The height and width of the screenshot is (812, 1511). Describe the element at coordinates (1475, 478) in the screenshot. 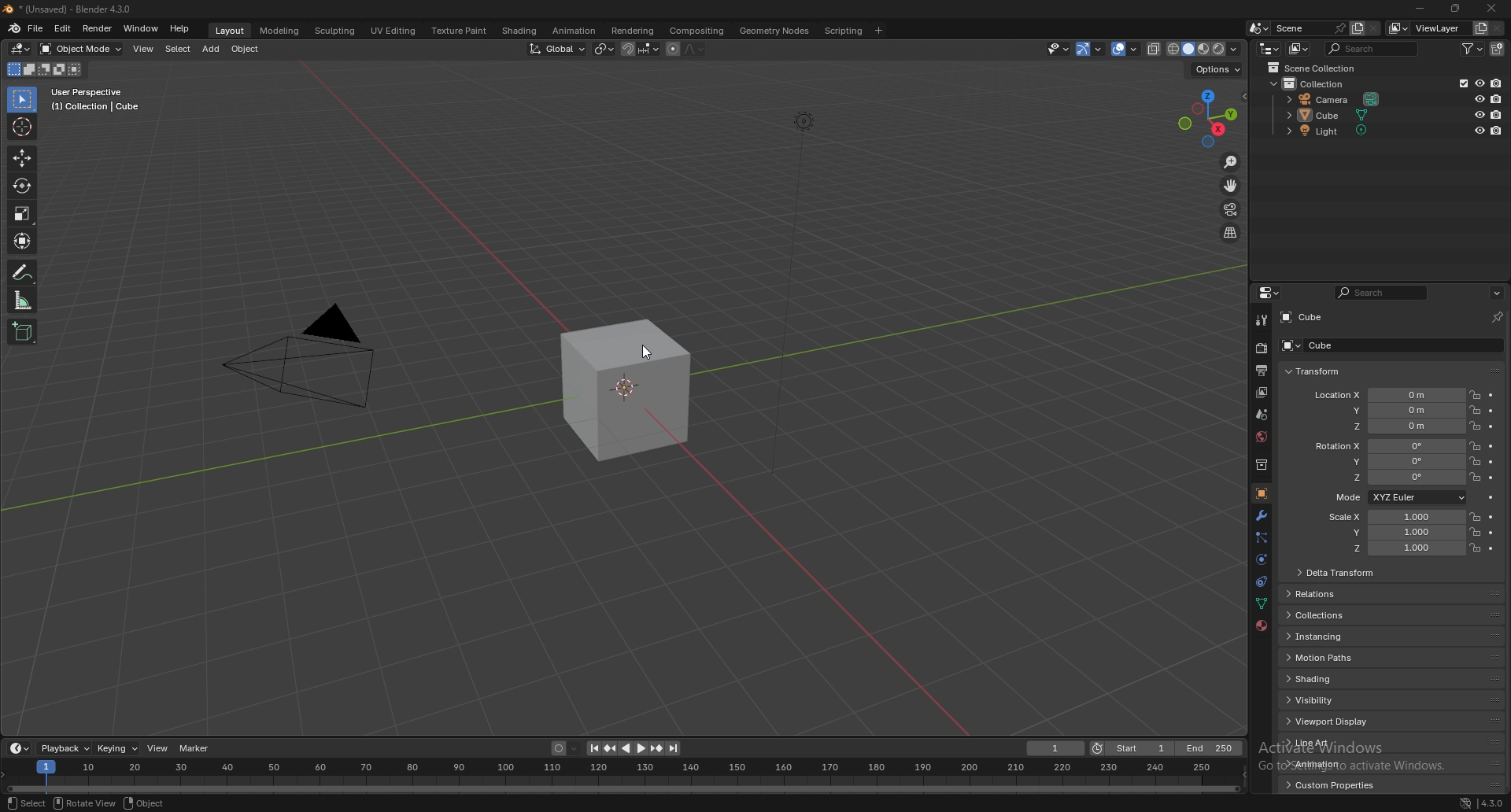

I see `lock` at that location.